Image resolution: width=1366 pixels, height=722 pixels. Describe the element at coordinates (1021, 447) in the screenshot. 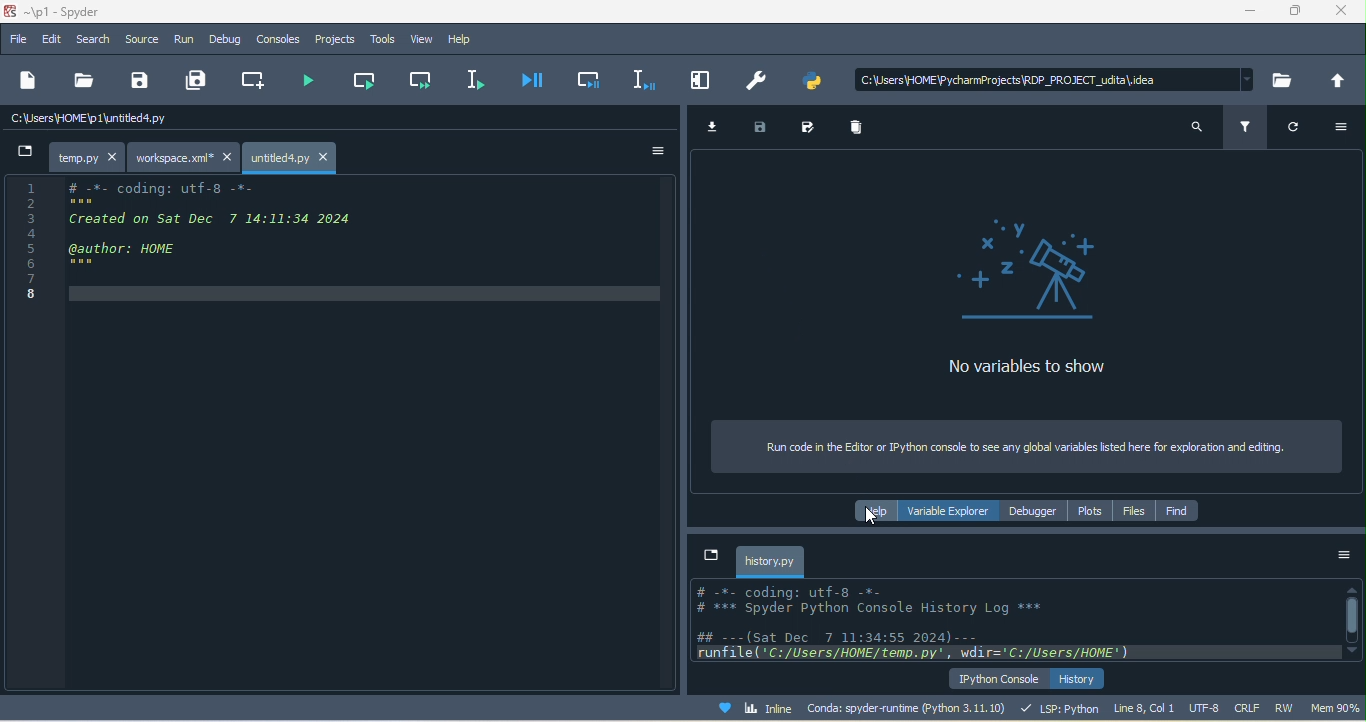

I see `run code in the editor` at that location.